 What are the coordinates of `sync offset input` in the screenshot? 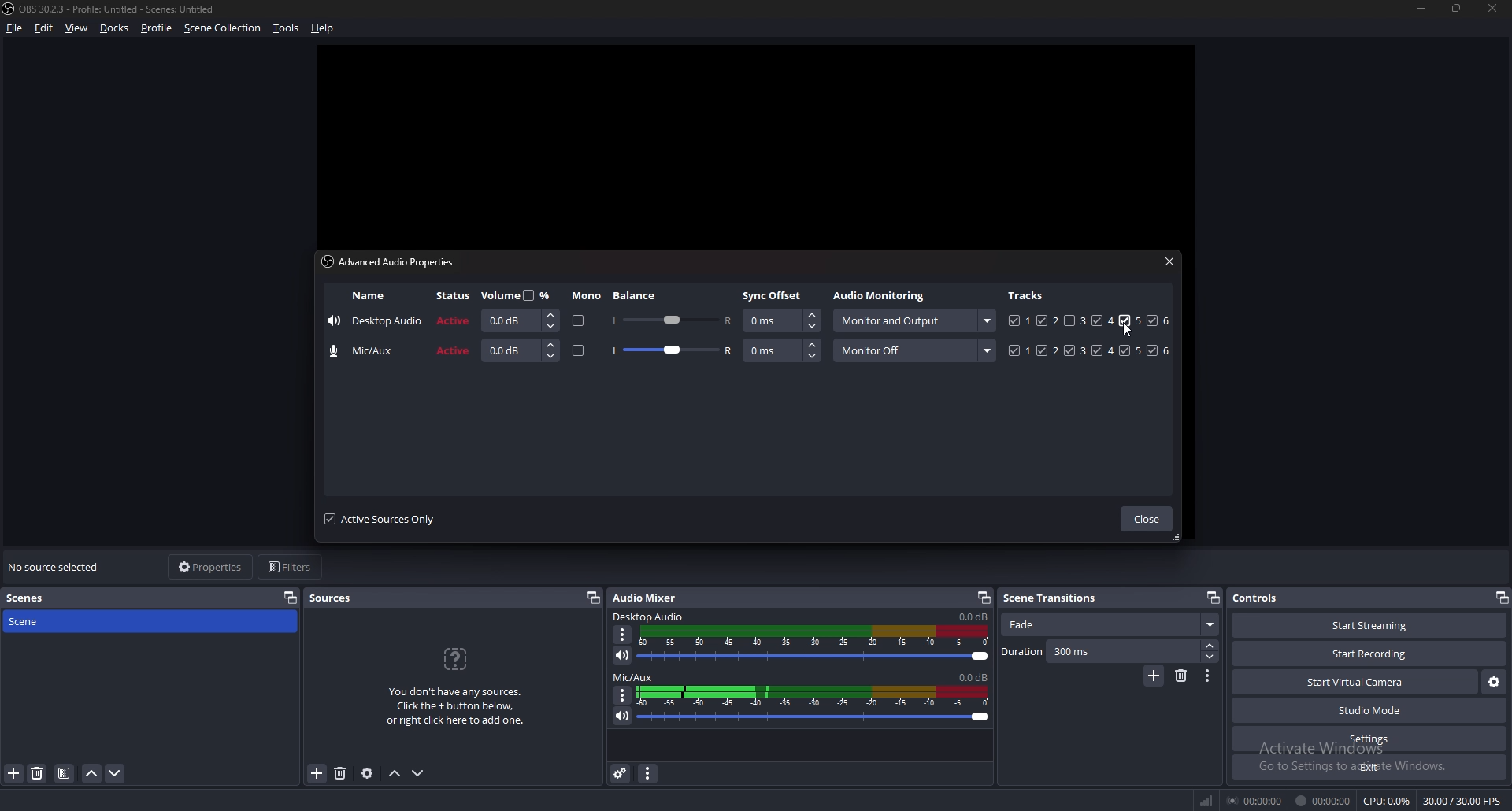 It's located at (781, 321).